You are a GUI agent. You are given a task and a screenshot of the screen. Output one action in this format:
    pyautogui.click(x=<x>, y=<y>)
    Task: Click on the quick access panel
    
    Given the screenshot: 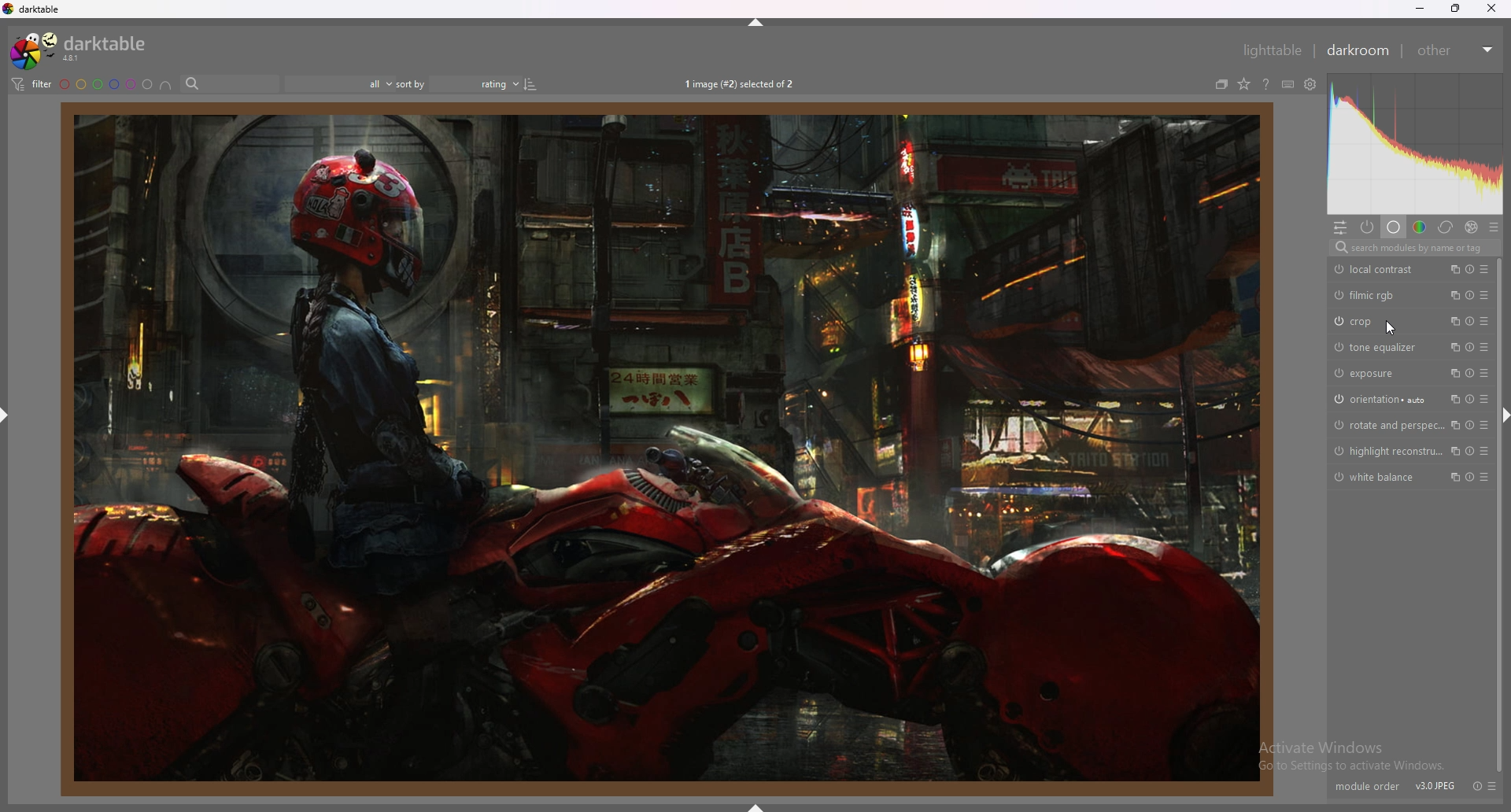 What is the action you would take?
    pyautogui.click(x=1340, y=227)
    